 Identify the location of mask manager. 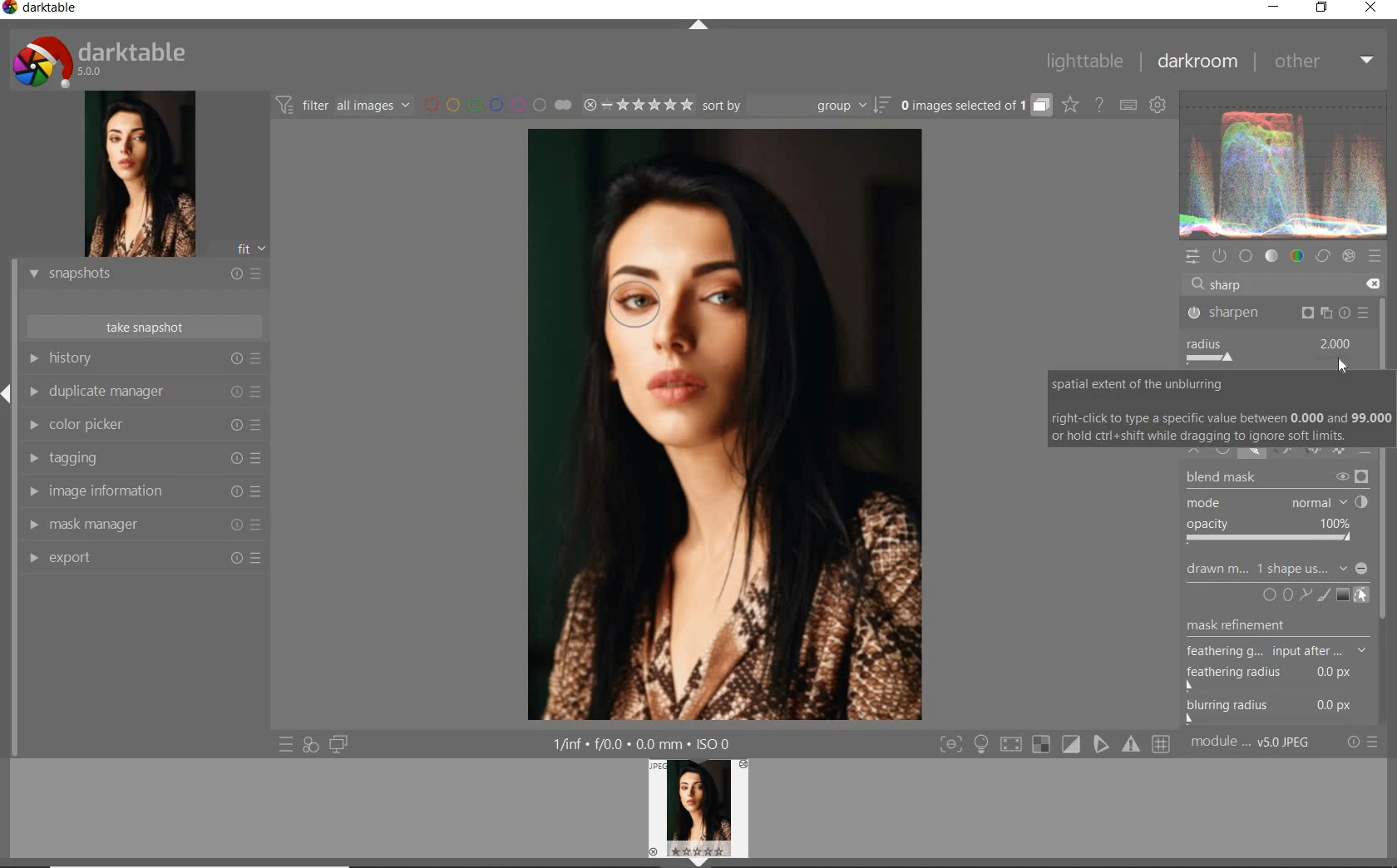
(143, 525).